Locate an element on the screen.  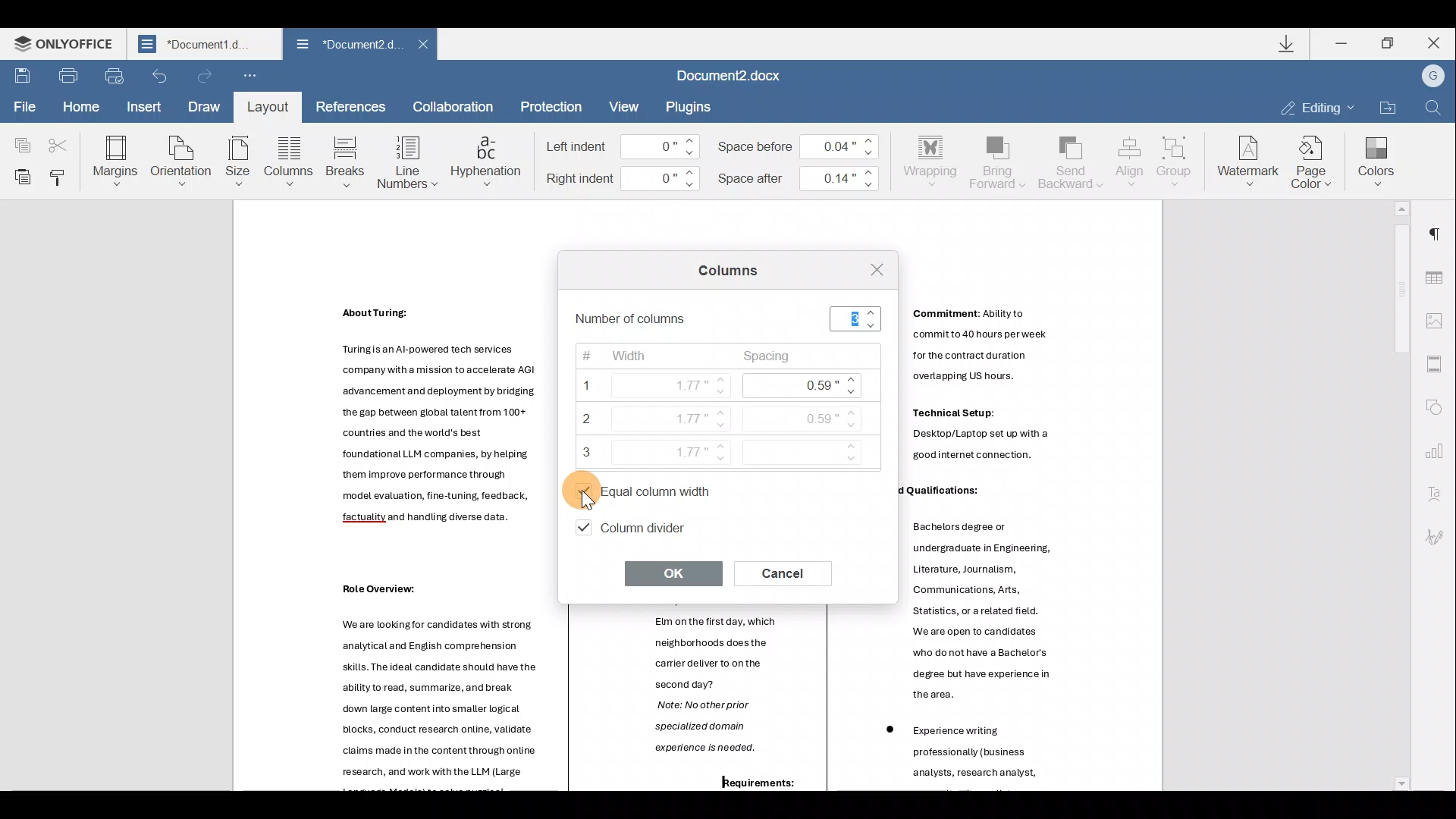
 is located at coordinates (945, 494).